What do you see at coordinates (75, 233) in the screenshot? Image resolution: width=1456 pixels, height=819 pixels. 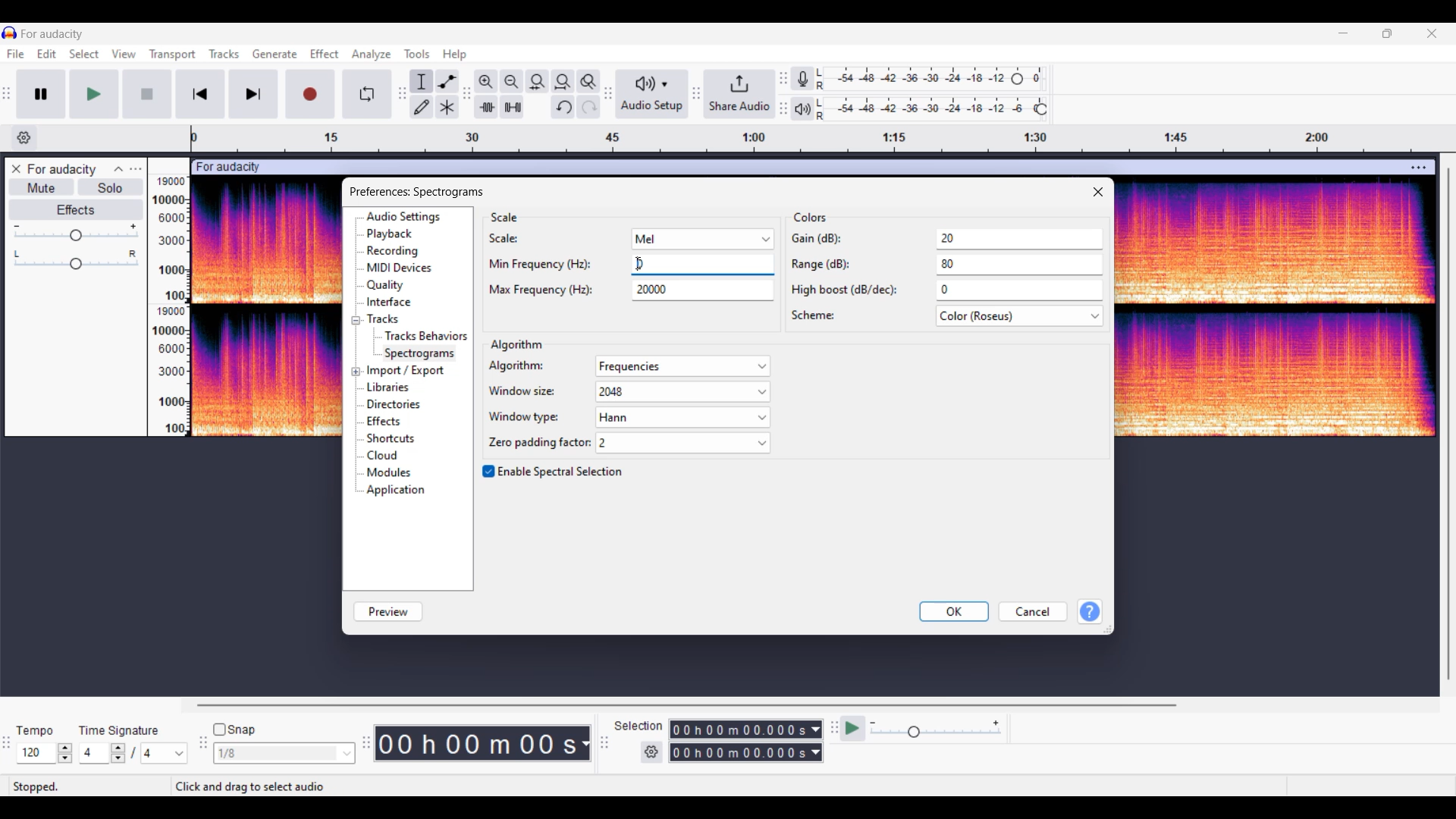 I see `Volume slider` at bounding box center [75, 233].